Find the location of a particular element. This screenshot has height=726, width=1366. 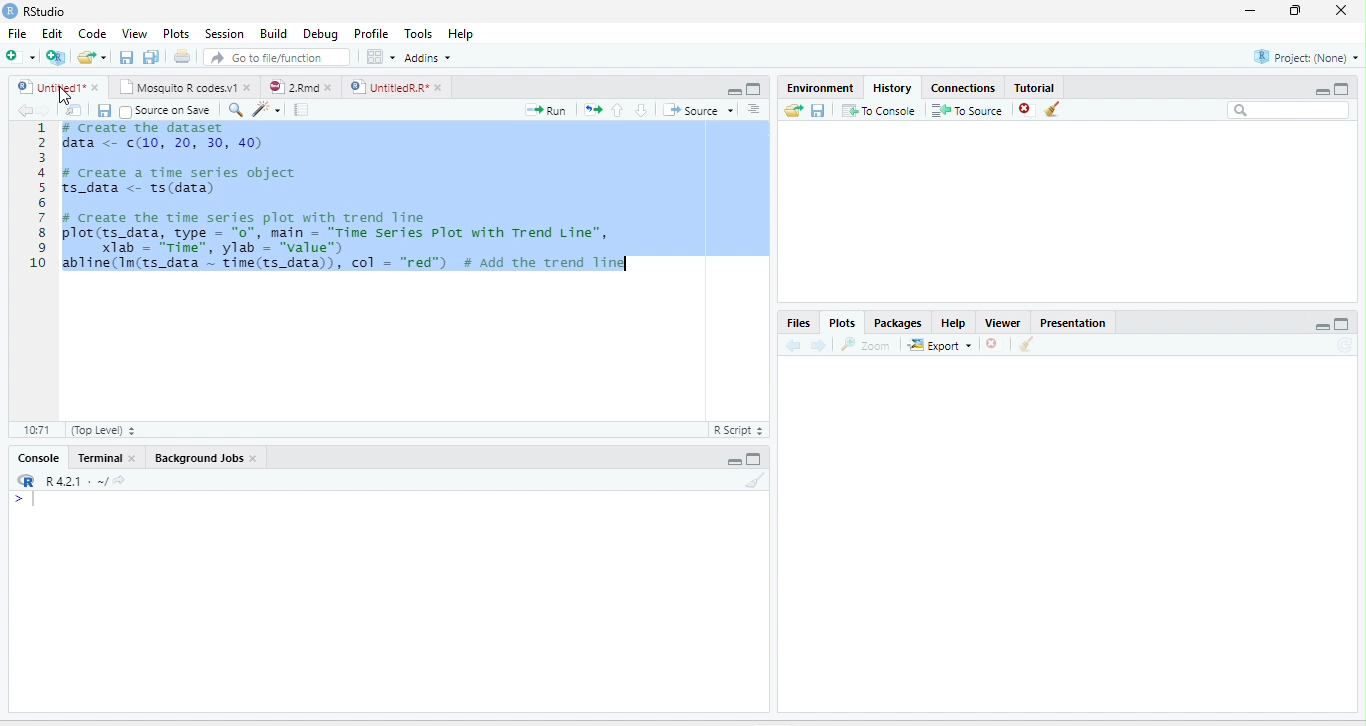

Re-run the previous code region is located at coordinates (592, 110).